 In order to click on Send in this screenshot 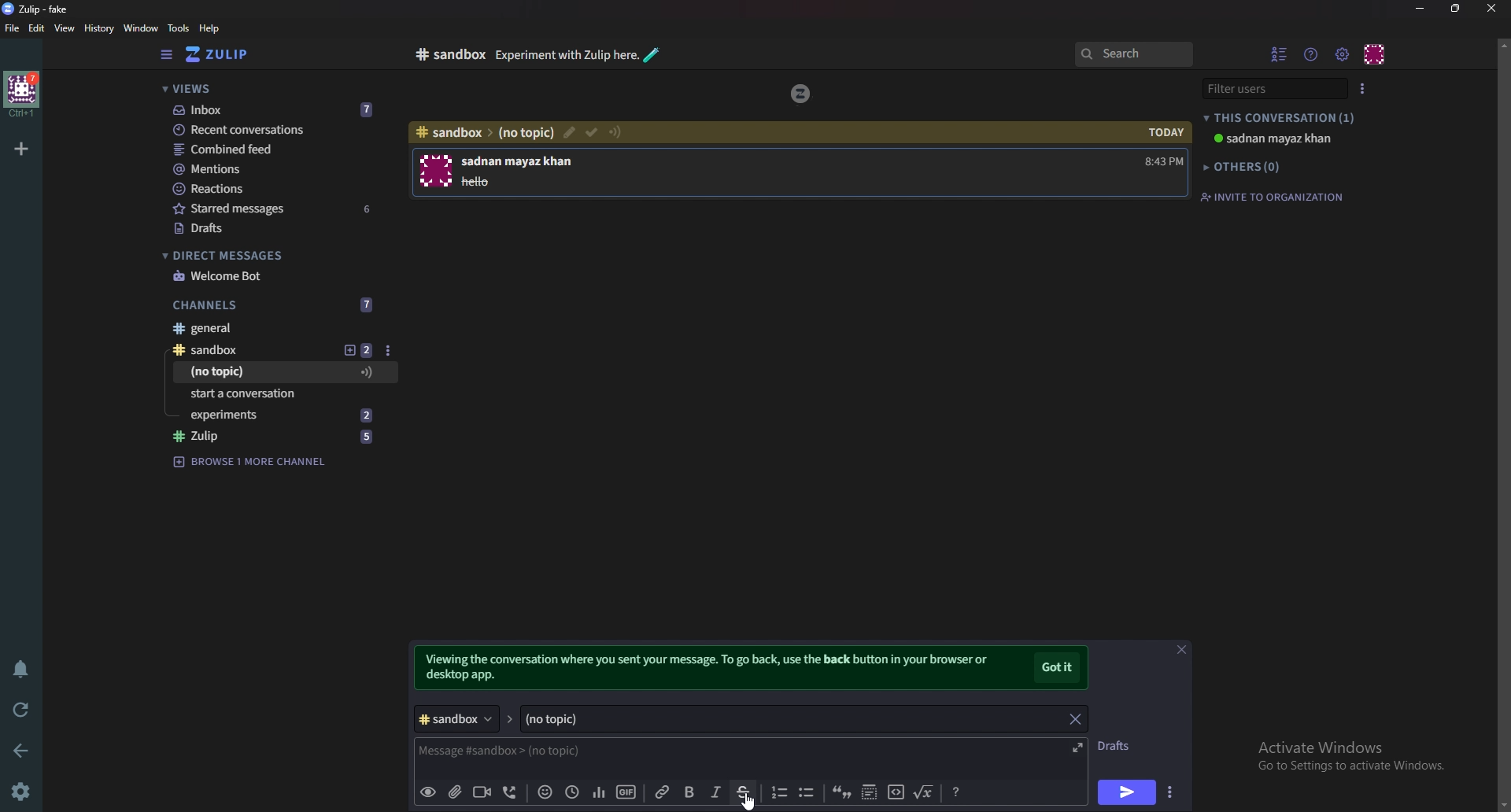, I will do `click(1126, 792)`.